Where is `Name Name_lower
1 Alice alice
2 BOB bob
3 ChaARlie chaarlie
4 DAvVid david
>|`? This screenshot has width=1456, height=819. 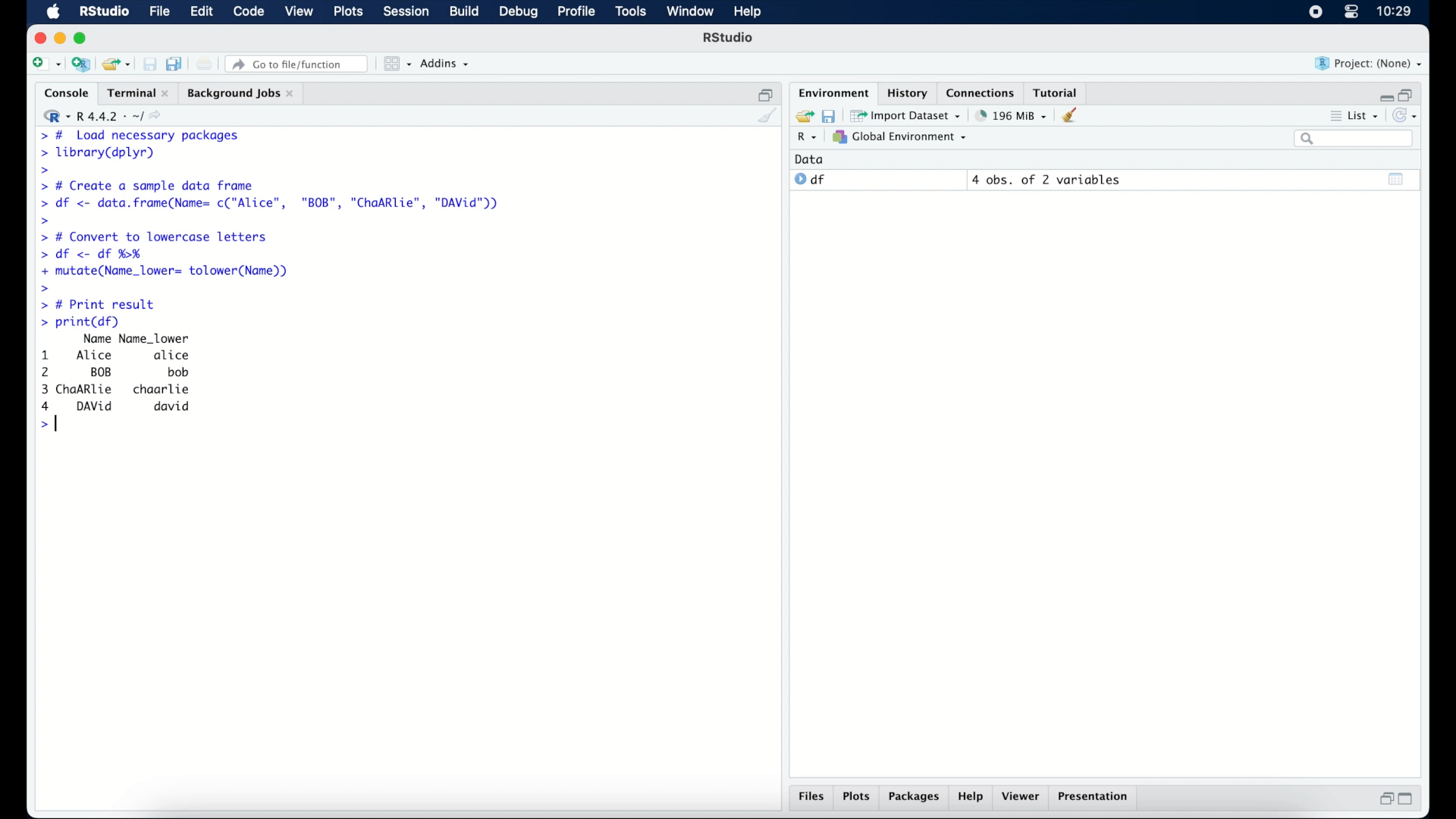
Name Name_lower
1 Alice alice
2 BOB bob
3 ChaARlie chaarlie
4 DAvVid david
>| is located at coordinates (120, 385).